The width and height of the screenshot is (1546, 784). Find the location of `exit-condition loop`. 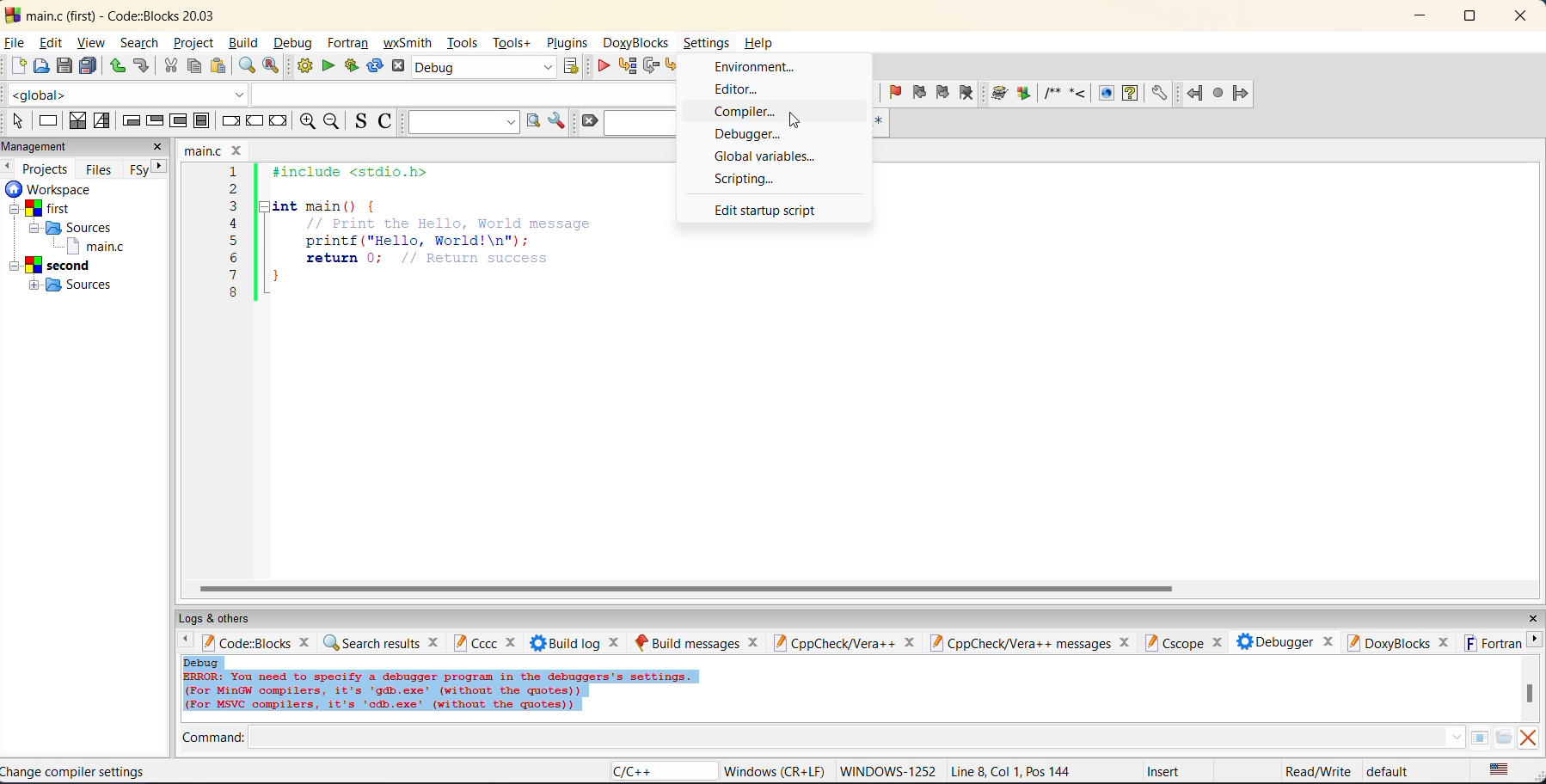

exit-condition loop is located at coordinates (157, 120).